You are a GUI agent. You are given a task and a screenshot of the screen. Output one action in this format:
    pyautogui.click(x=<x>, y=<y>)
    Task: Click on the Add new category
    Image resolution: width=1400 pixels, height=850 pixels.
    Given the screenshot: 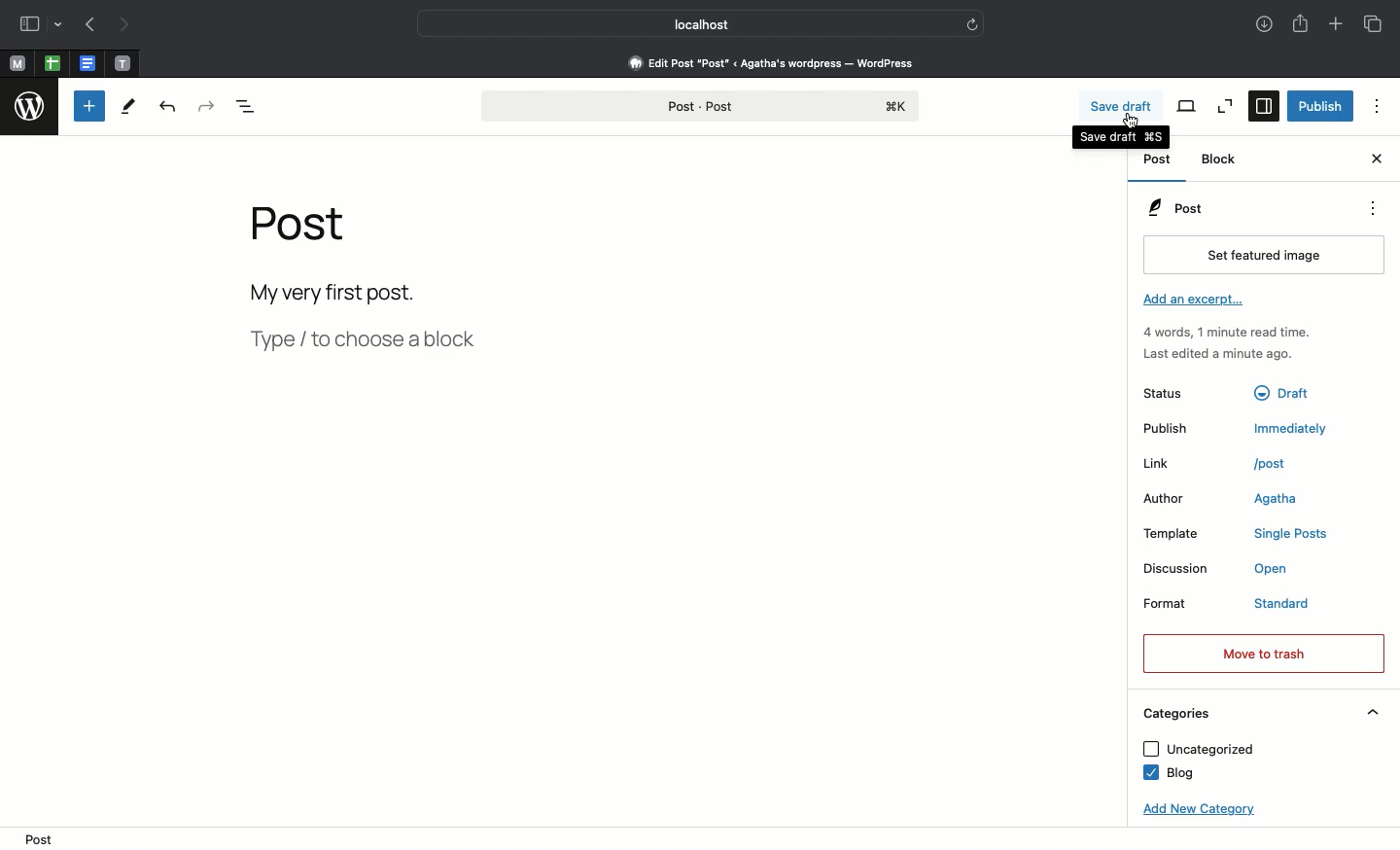 What is the action you would take?
    pyautogui.click(x=1194, y=810)
    